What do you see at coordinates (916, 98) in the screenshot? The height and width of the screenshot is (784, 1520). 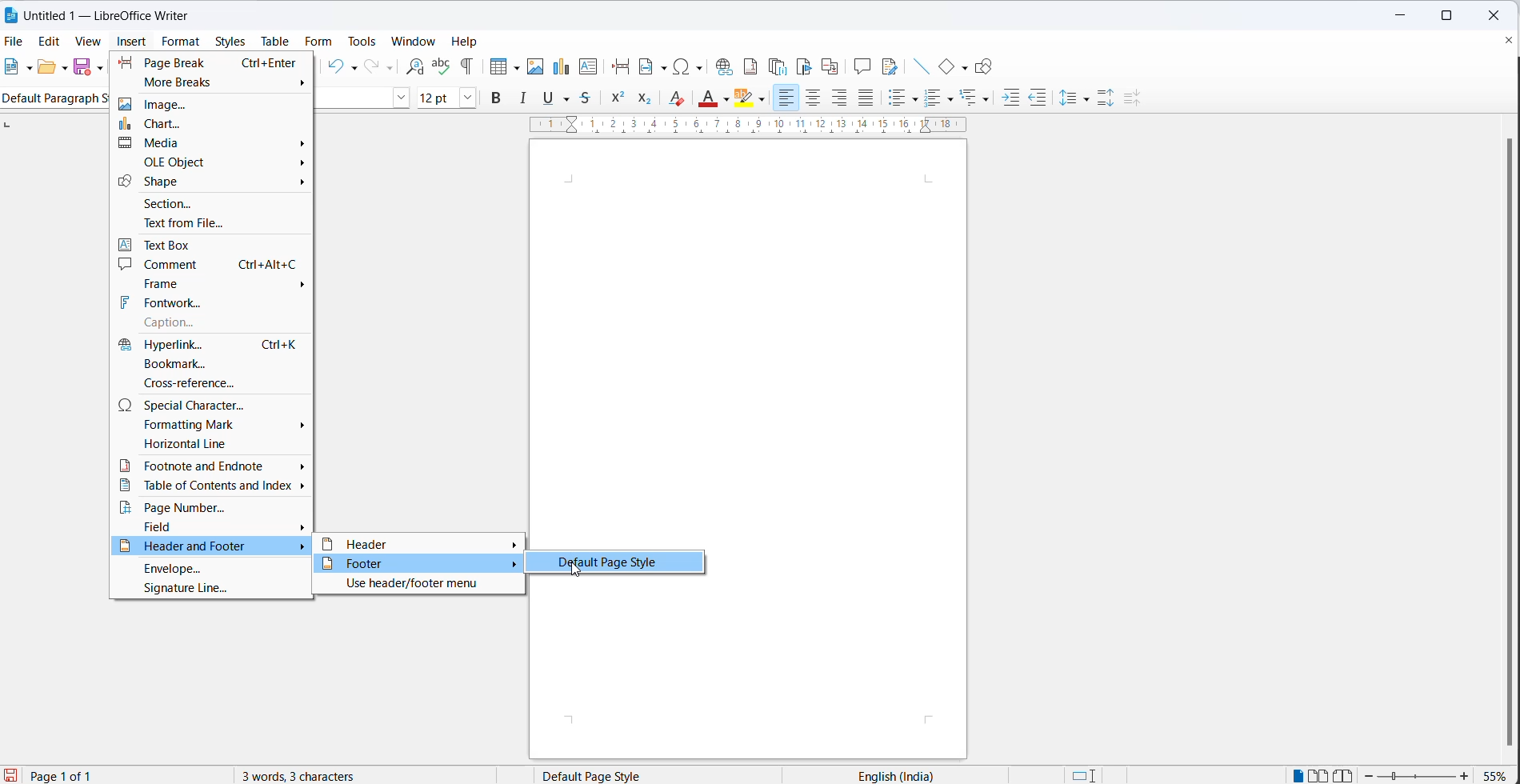 I see `toggle unordered list options` at bounding box center [916, 98].